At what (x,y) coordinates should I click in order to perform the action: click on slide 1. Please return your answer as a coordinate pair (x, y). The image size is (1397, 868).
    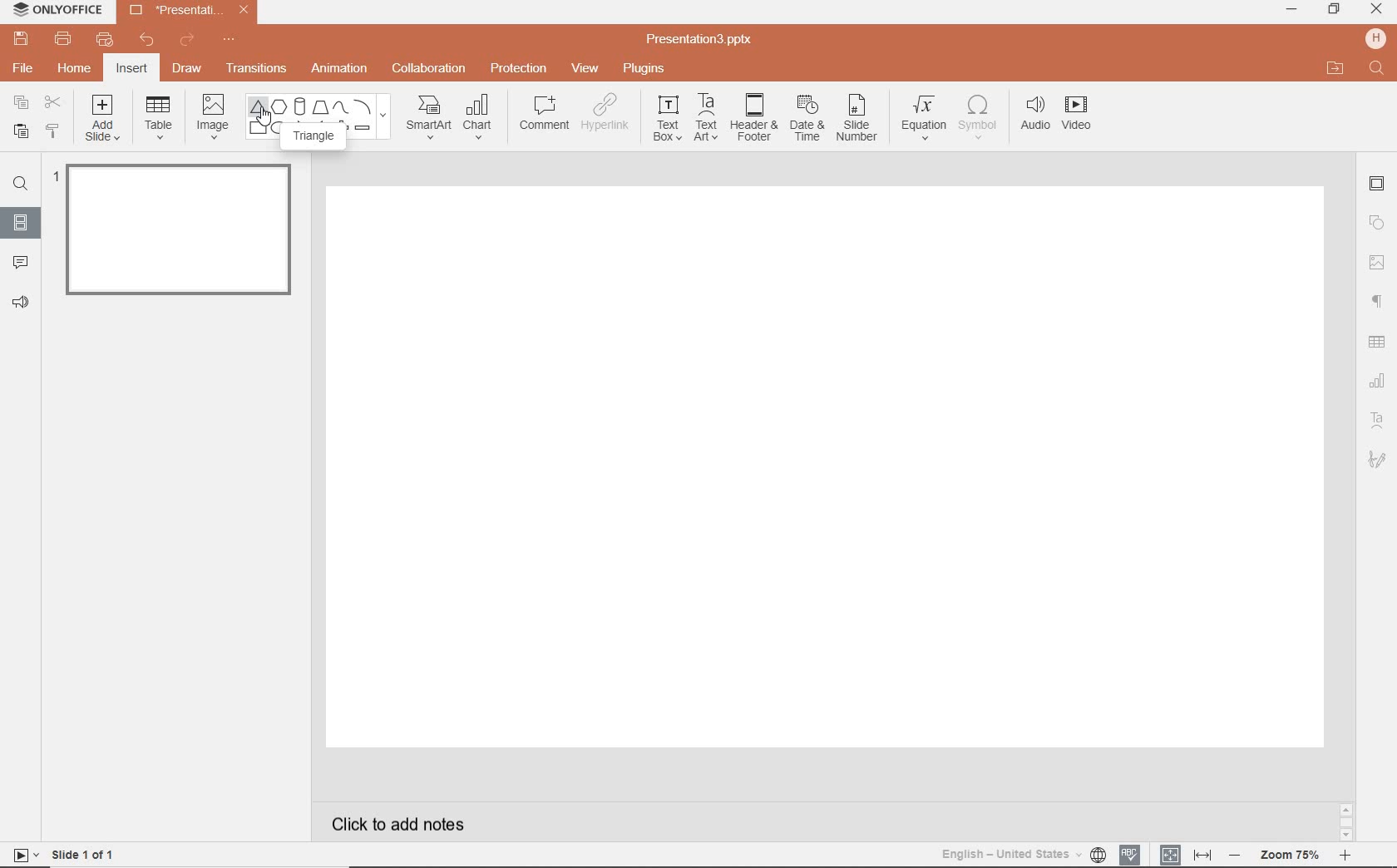
    Looking at the image, I should click on (184, 233).